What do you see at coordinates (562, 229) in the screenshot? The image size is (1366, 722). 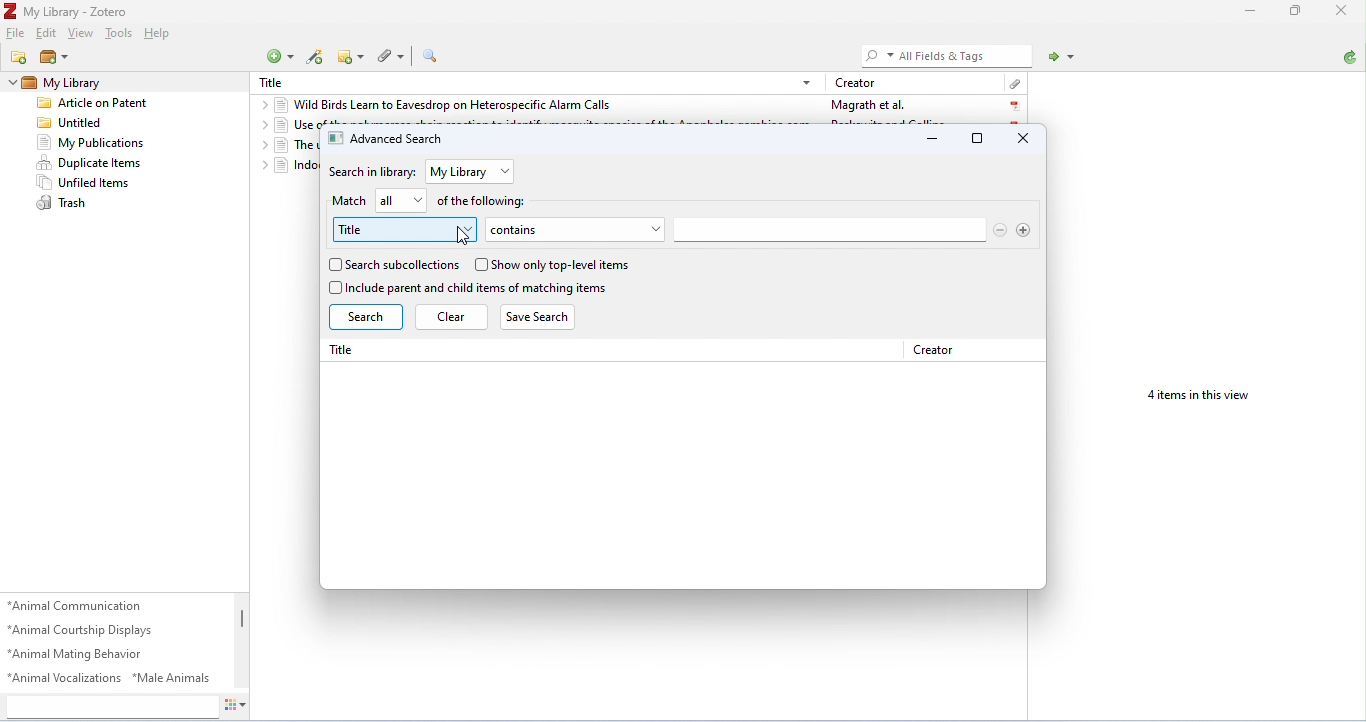 I see `contains` at bounding box center [562, 229].